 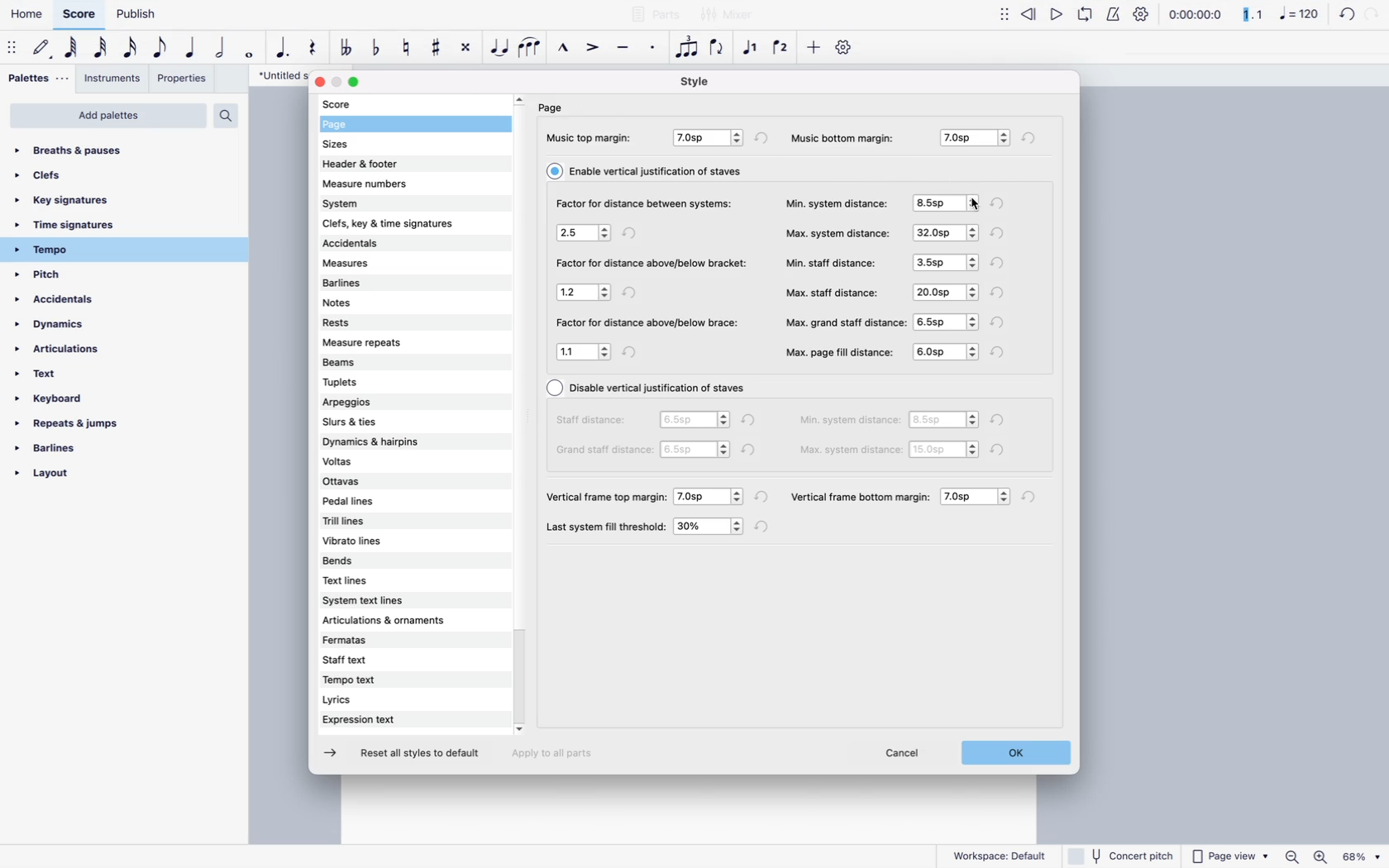 I want to click on Setting, so click(x=1136, y=15).